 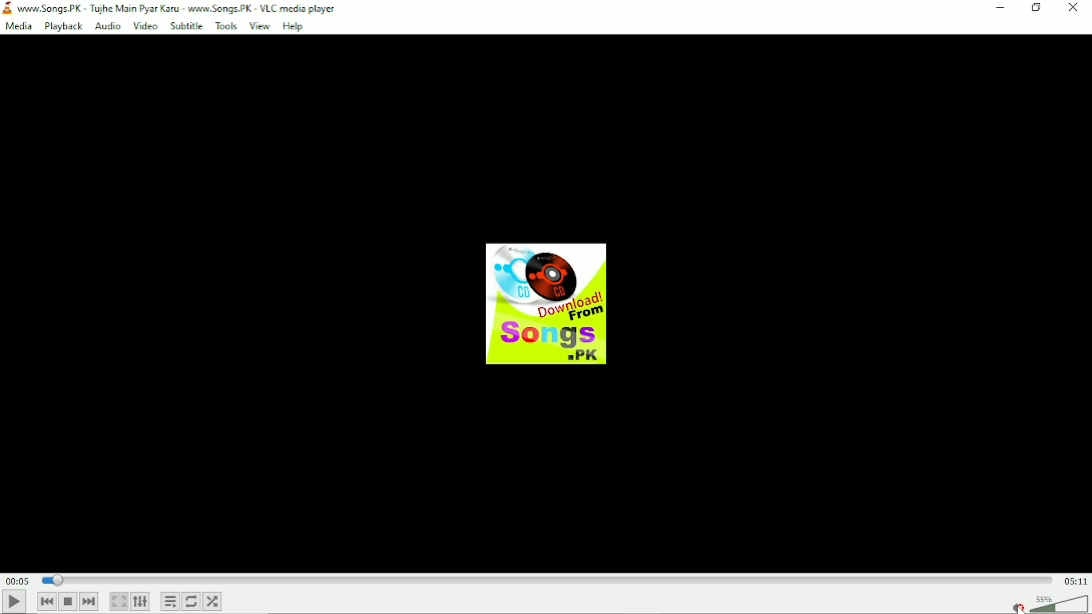 I want to click on restore down, so click(x=1038, y=9).